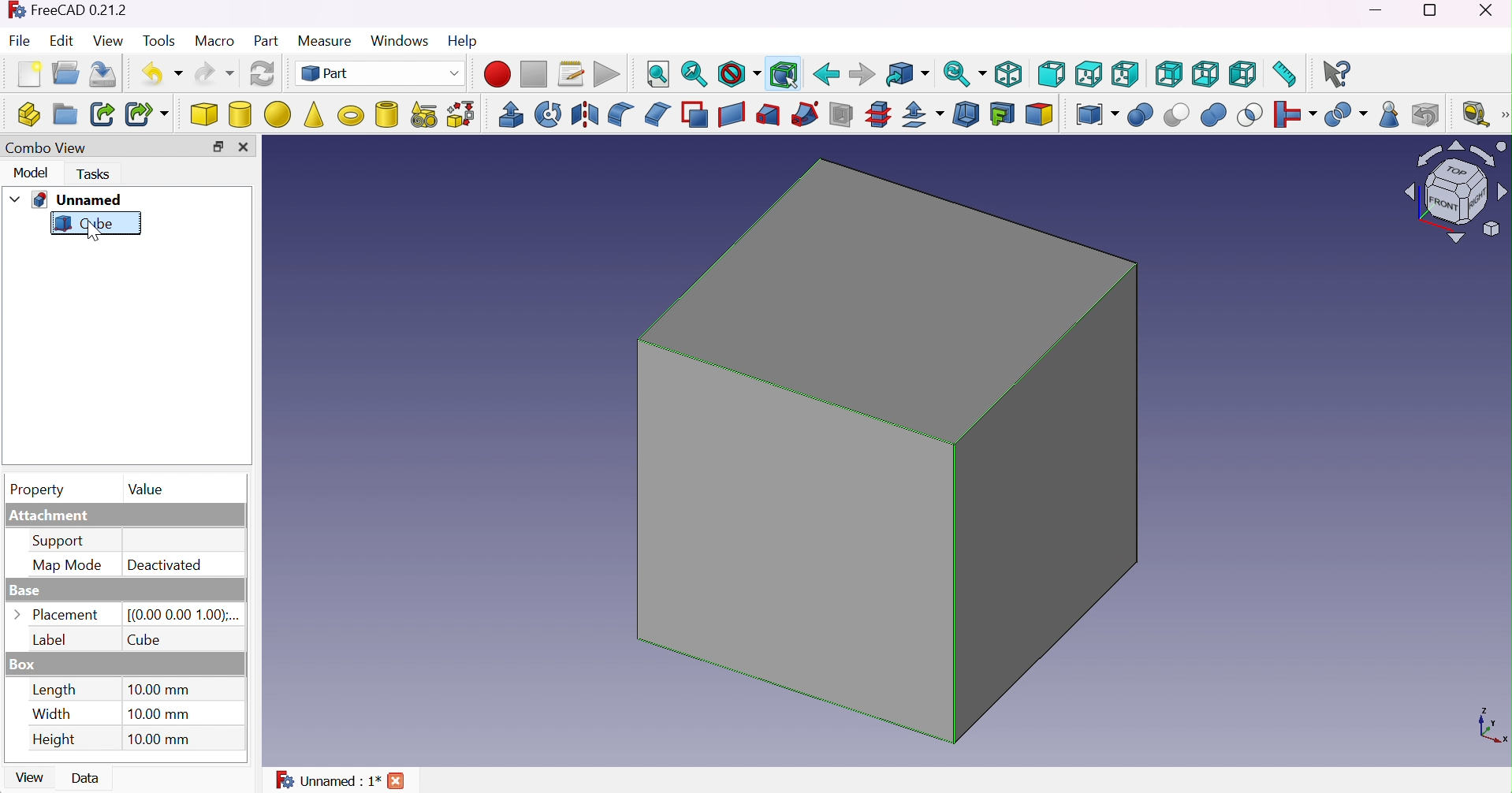  I want to click on Forward, so click(862, 76).